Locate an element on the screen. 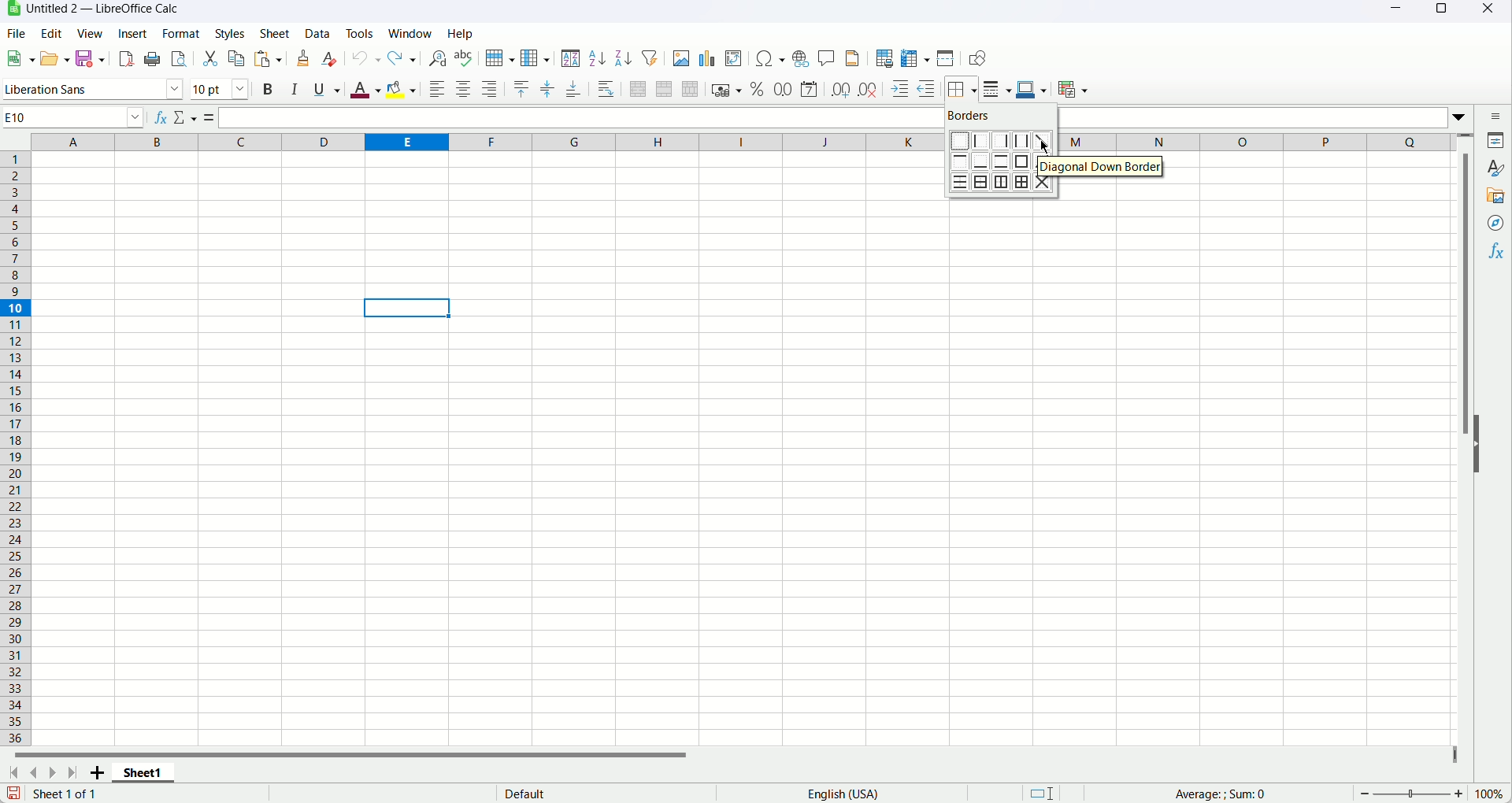  Bold is located at coordinates (268, 91).